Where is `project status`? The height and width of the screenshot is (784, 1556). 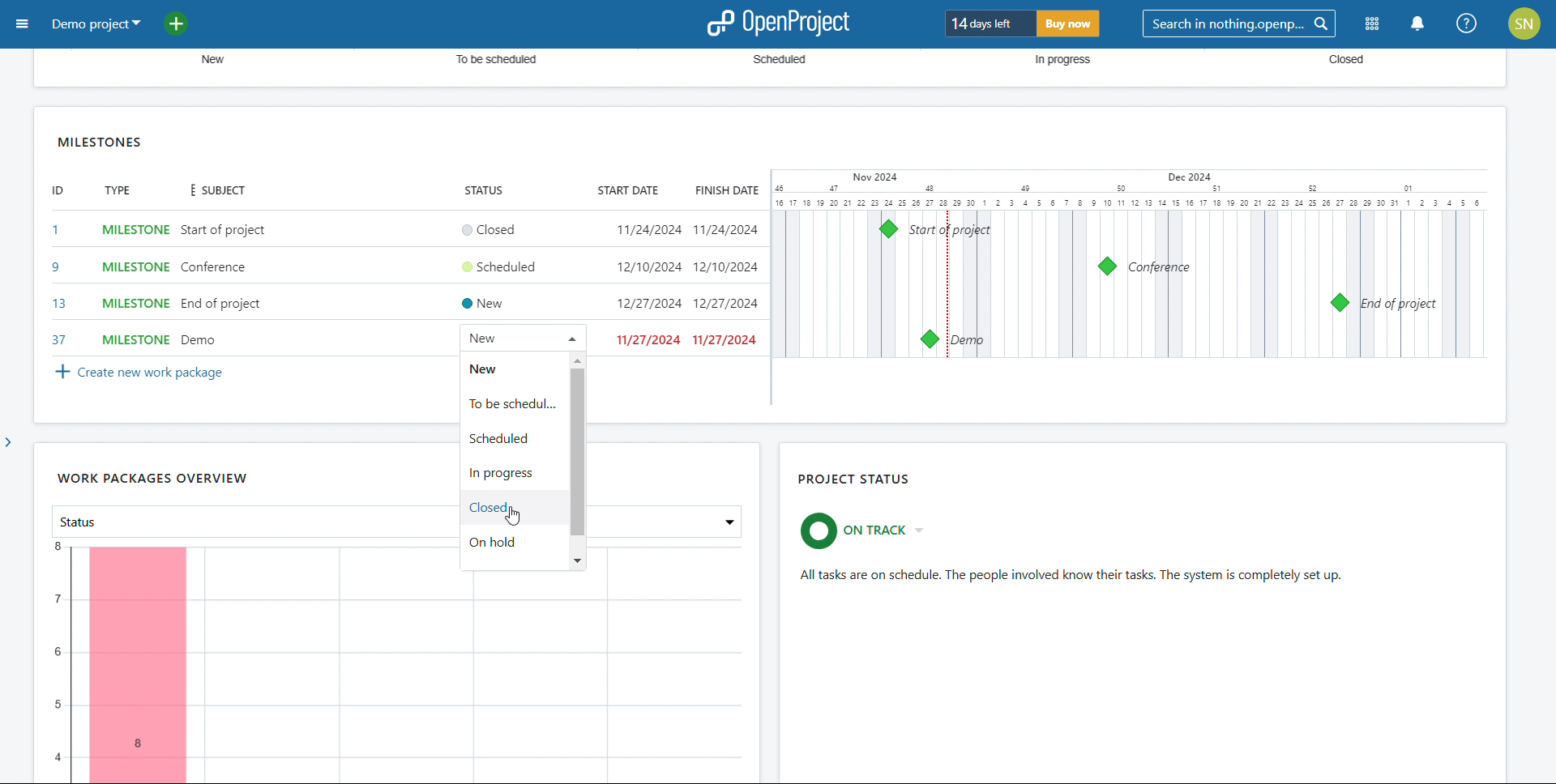
project status is located at coordinates (855, 480).